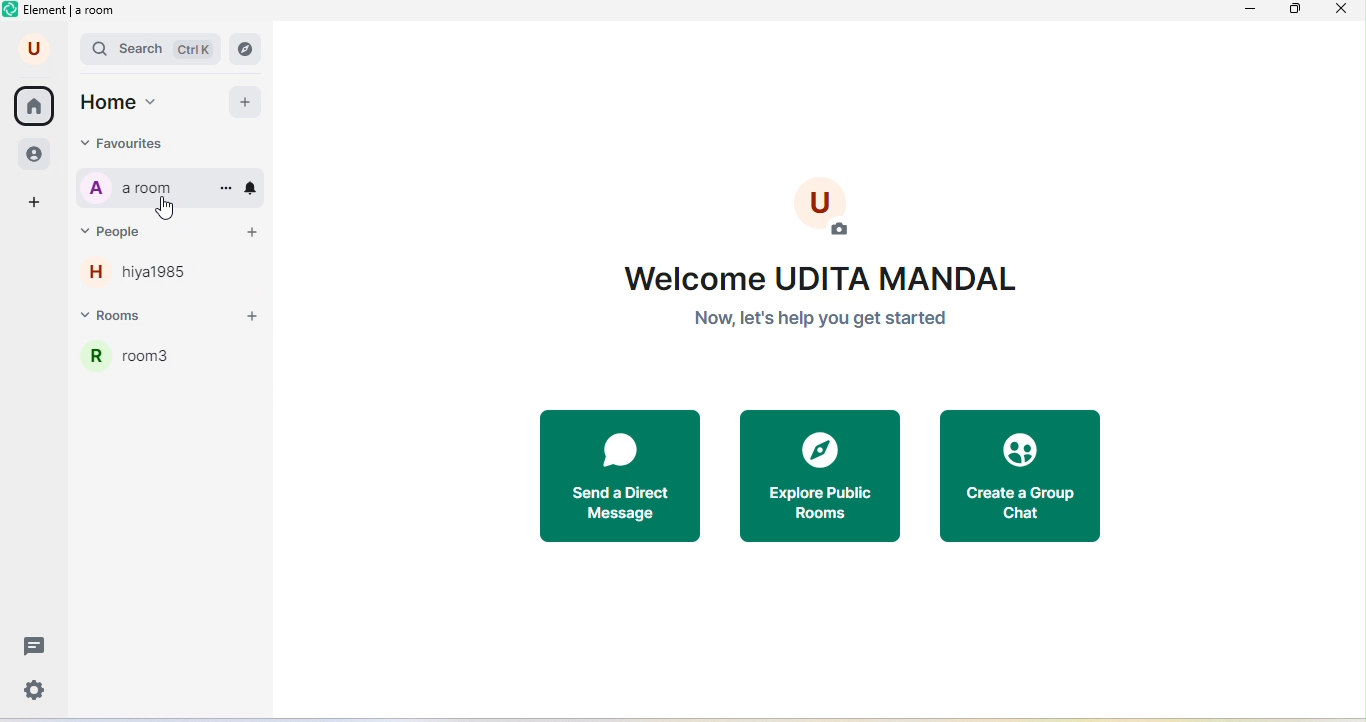 The width and height of the screenshot is (1366, 722). I want to click on create a group chat, so click(1020, 472).